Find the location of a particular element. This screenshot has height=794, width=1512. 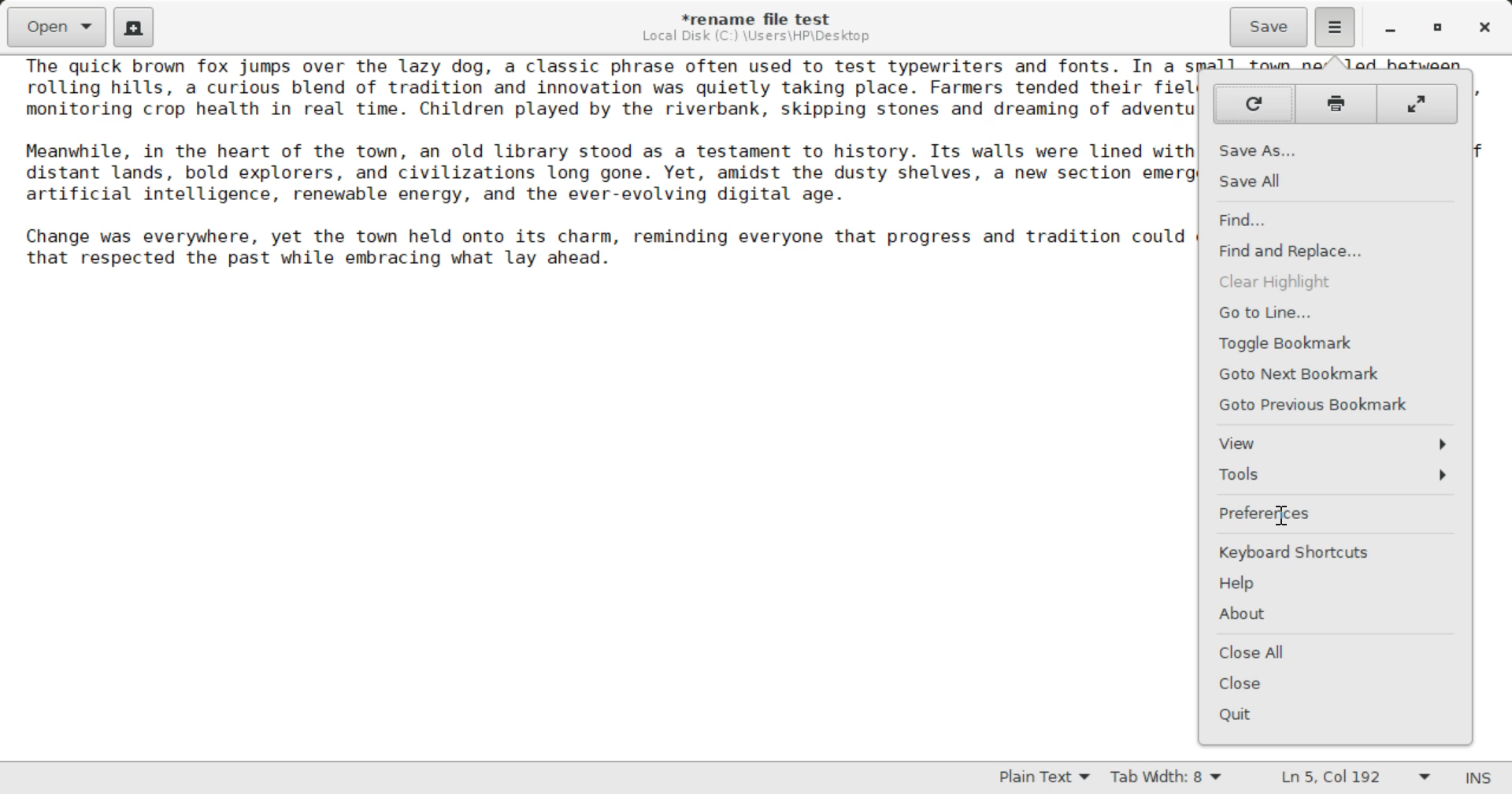

Cursor on Preferences Button is located at coordinates (1329, 514).